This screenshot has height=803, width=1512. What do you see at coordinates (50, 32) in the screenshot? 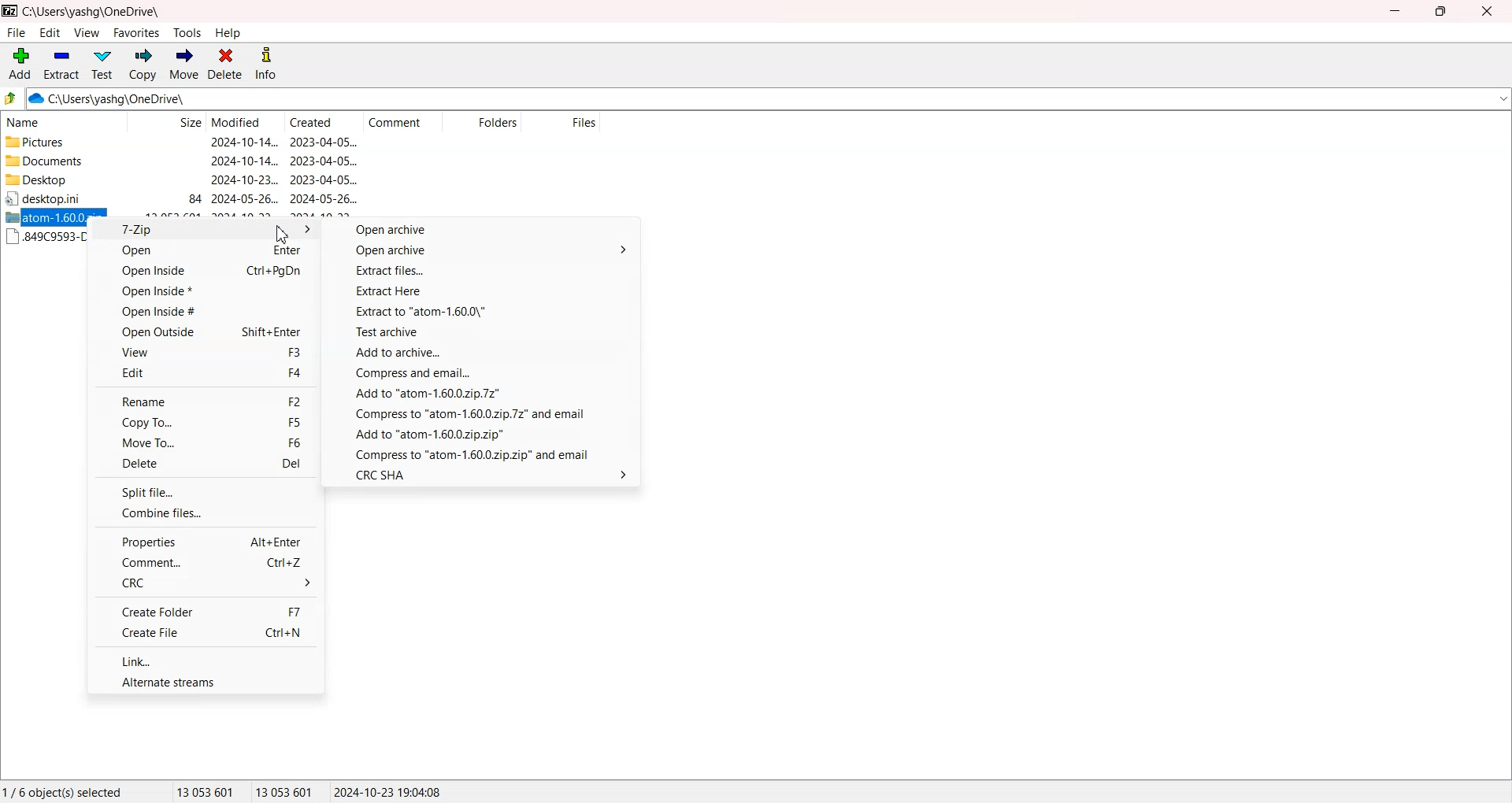
I see `Edit` at bounding box center [50, 32].